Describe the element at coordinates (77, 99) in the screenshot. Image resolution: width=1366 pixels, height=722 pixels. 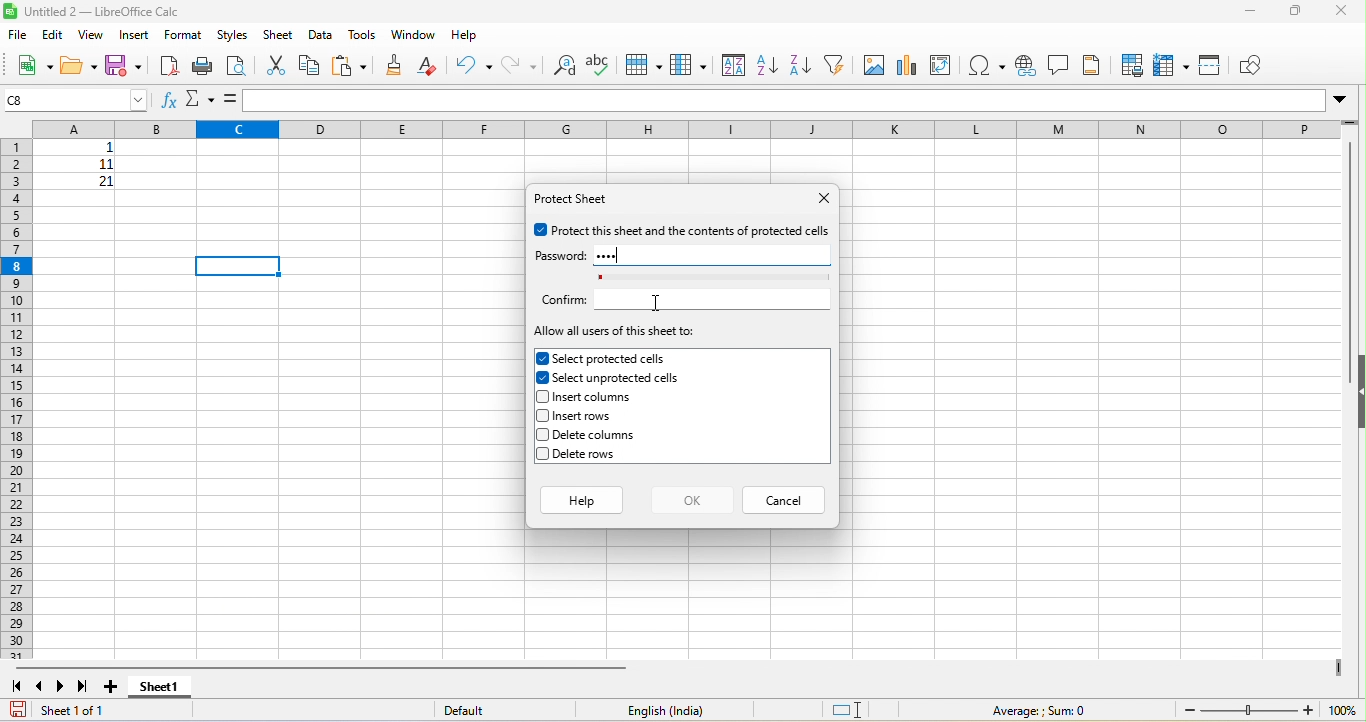
I see `selected cell number` at that location.